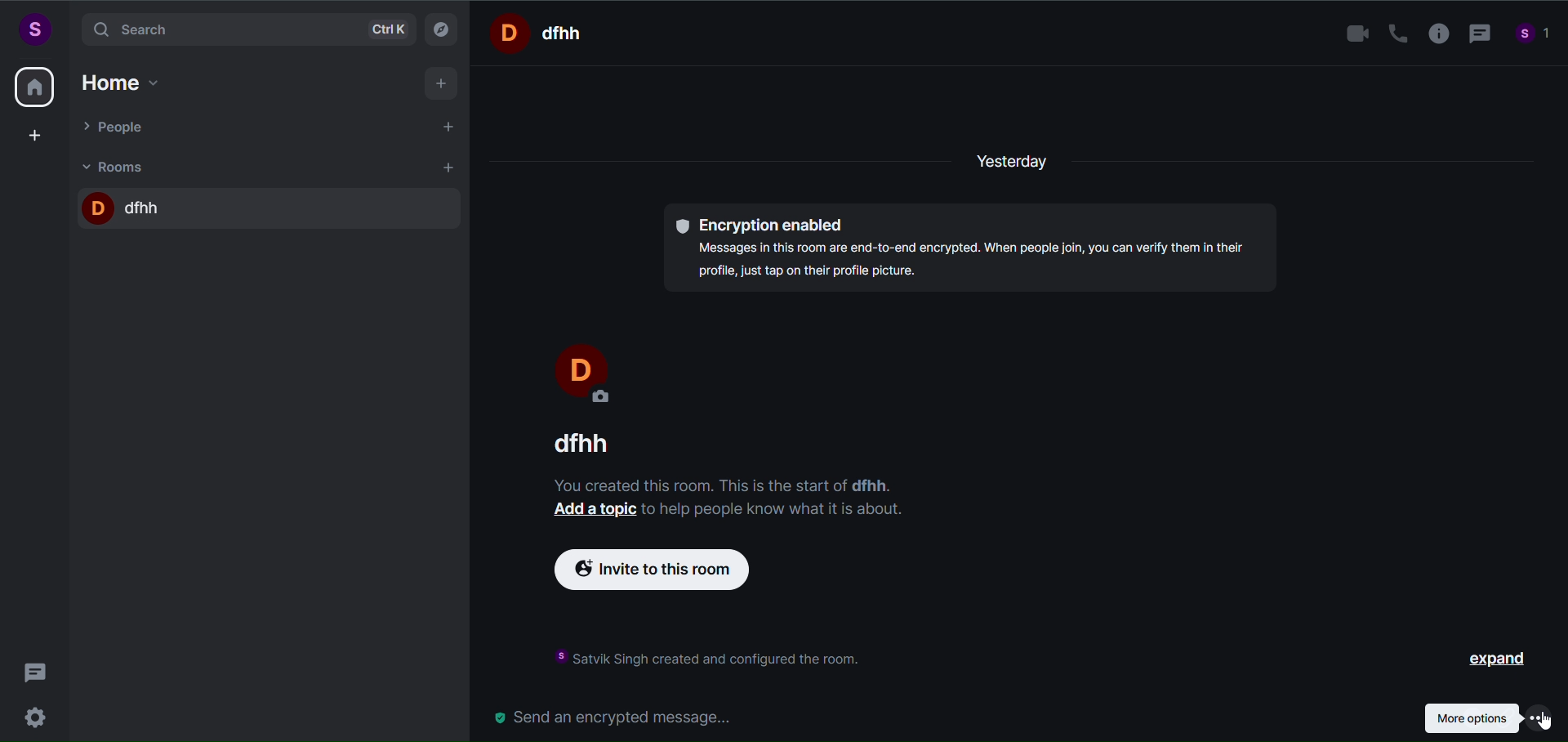  Describe the element at coordinates (127, 80) in the screenshot. I see `home option` at that location.